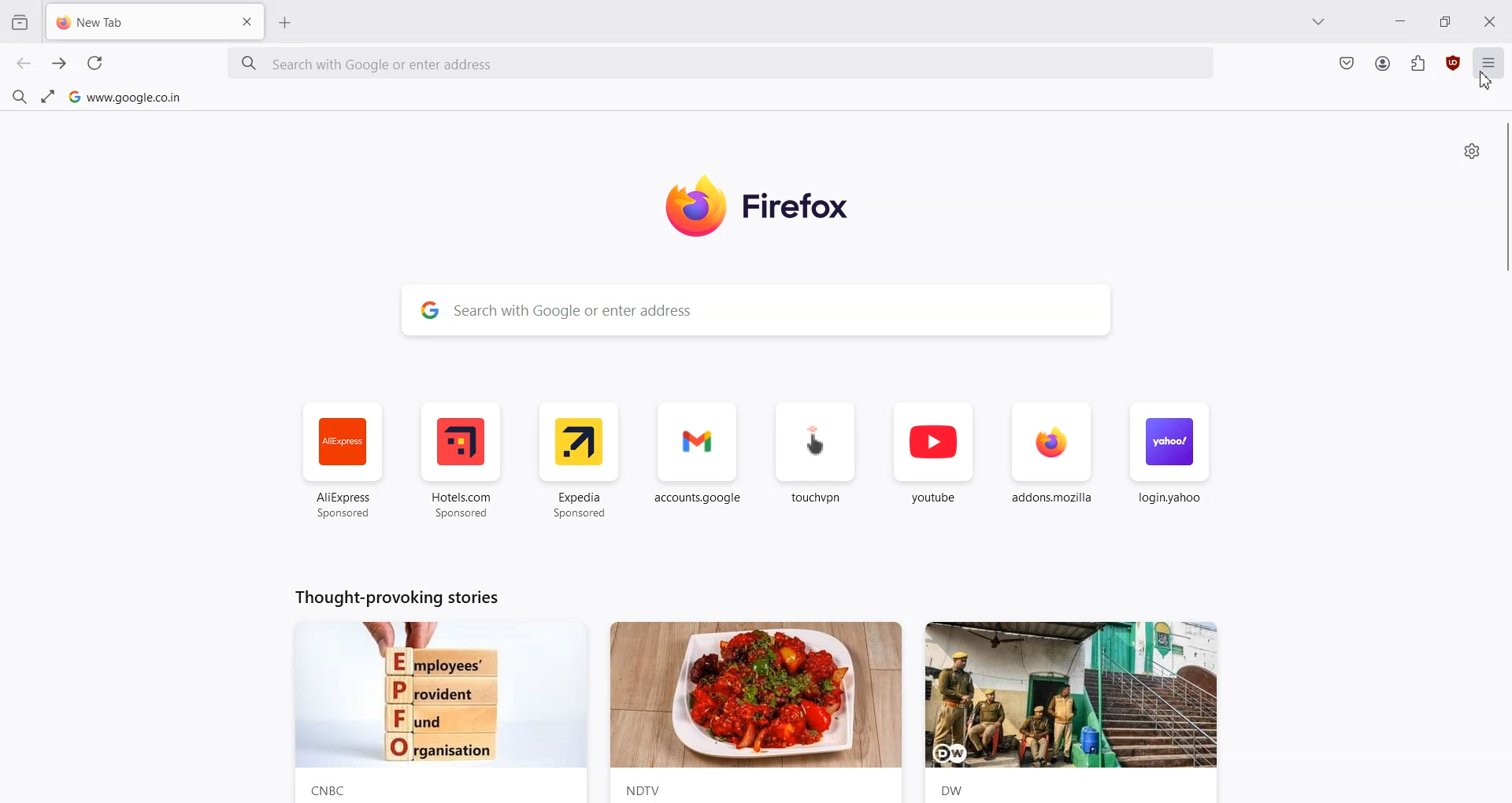 The width and height of the screenshot is (1512, 803). Describe the element at coordinates (1503, 198) in the screenshot. I see `Vertical Scroll bar` at that location.